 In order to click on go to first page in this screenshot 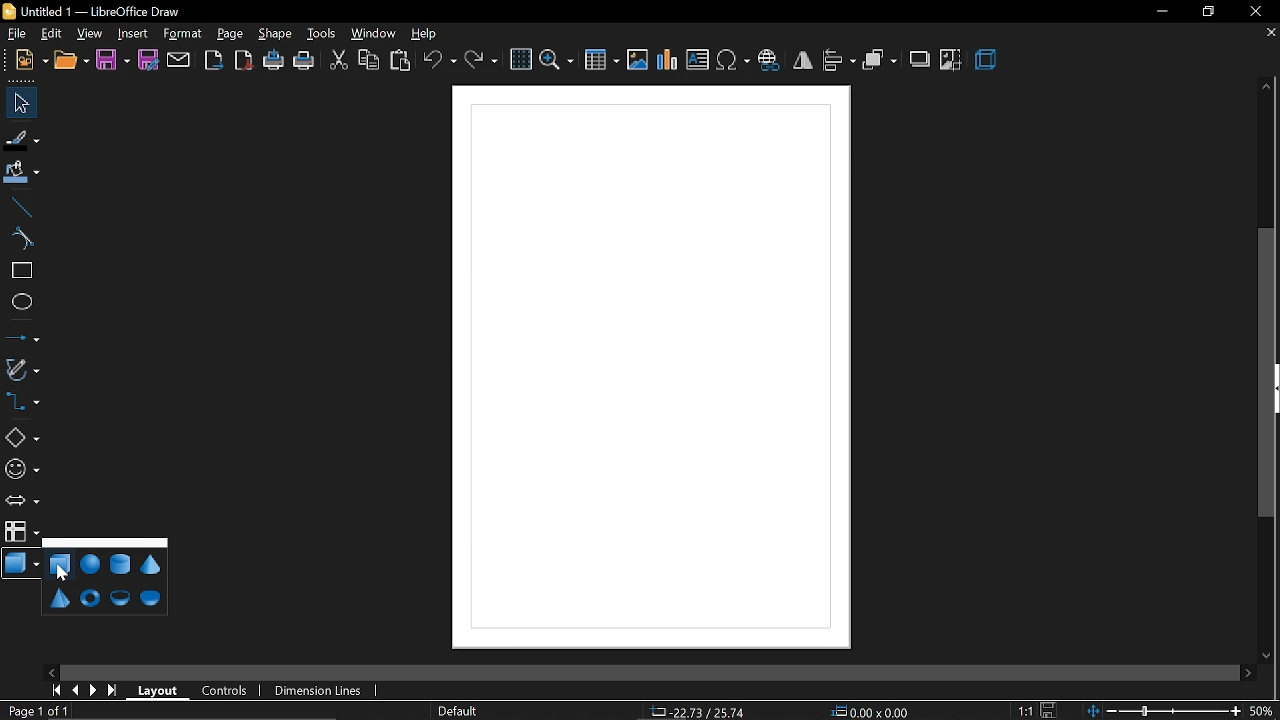, I will do `click(51, 691)`.